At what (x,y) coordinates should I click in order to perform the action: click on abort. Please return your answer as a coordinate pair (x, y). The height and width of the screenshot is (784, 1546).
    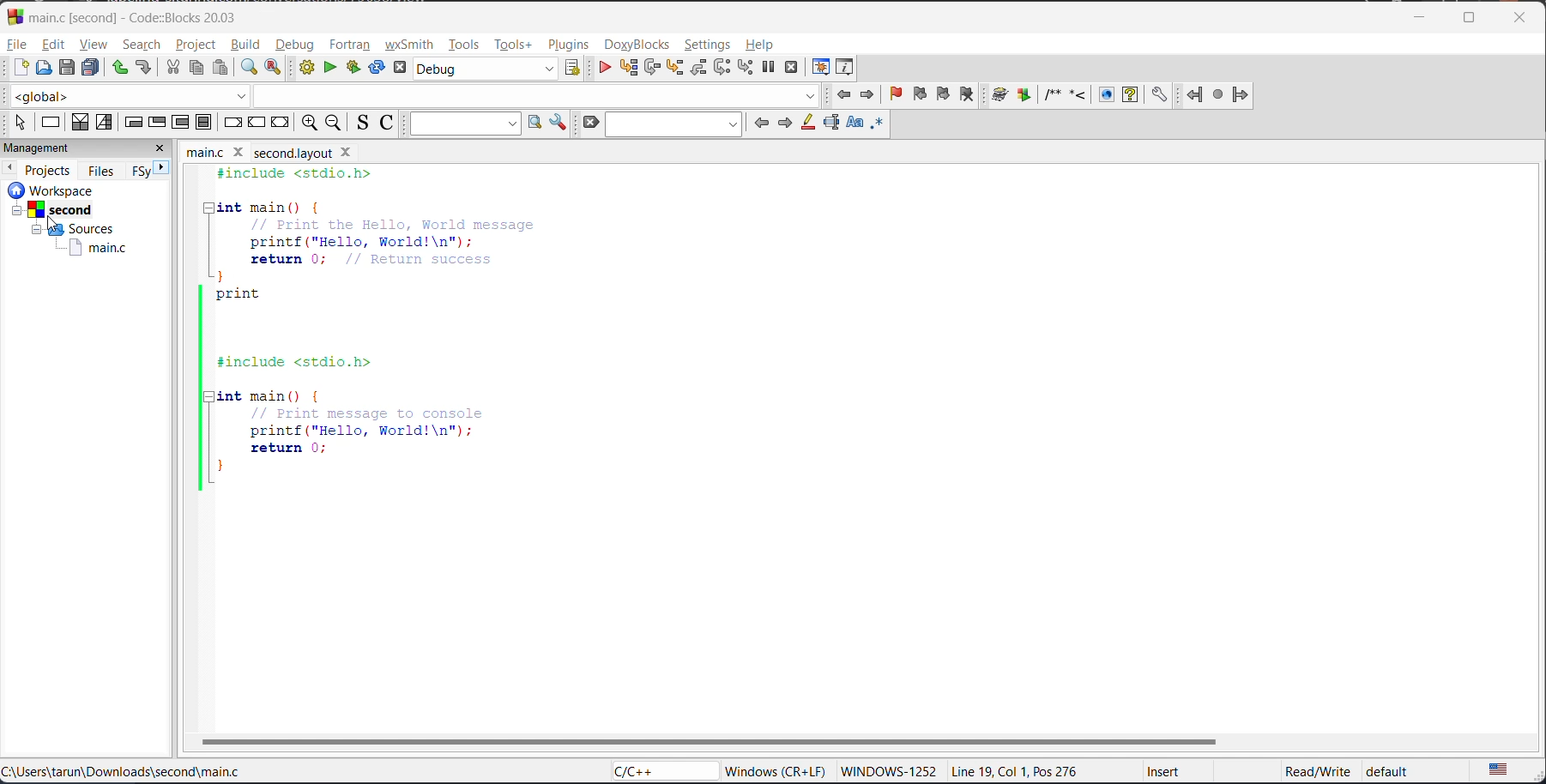
    Looking at the image, I should click on (594, 121).